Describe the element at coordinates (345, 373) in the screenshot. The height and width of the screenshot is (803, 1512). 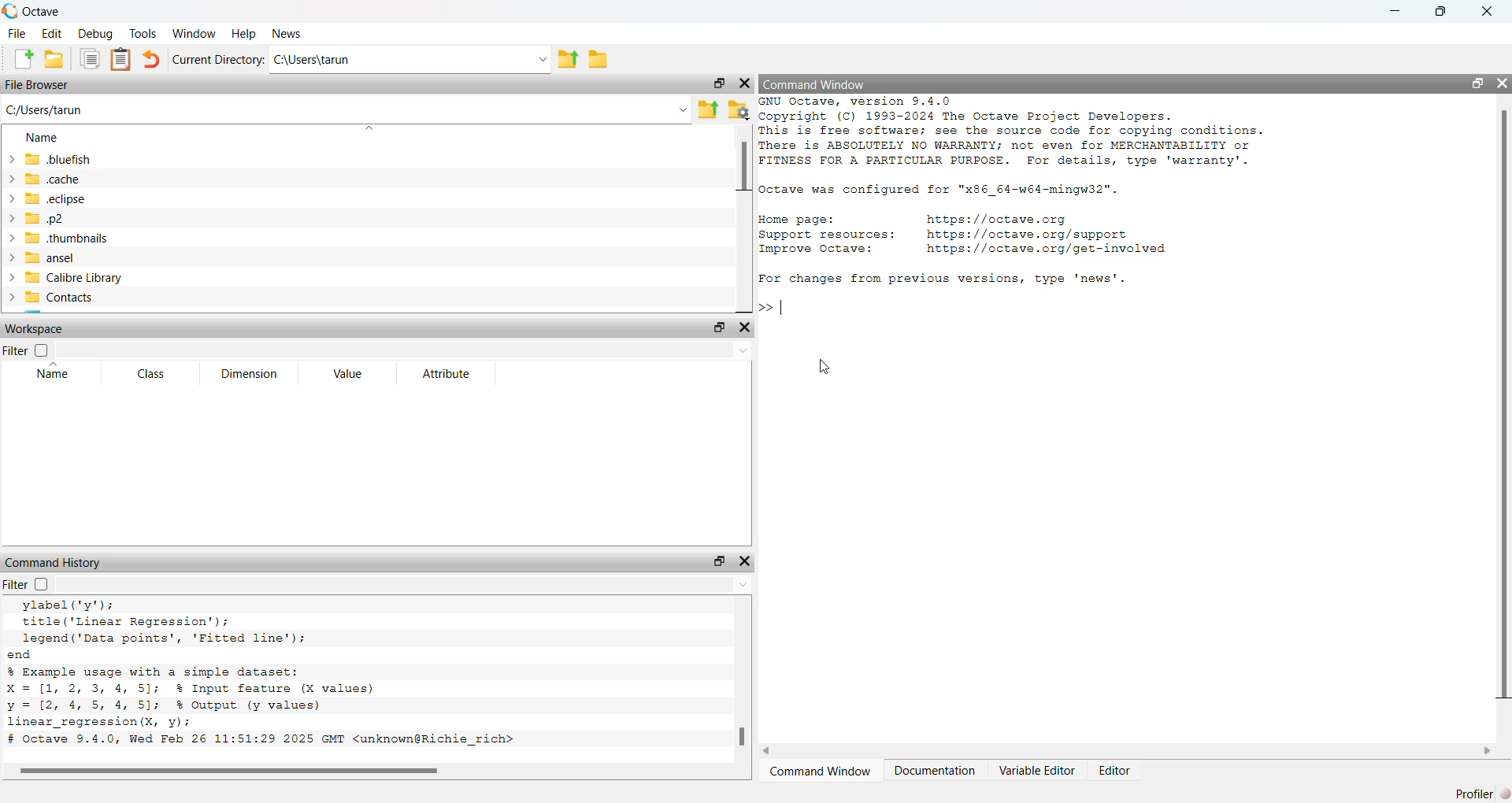
I see `value` at that location.